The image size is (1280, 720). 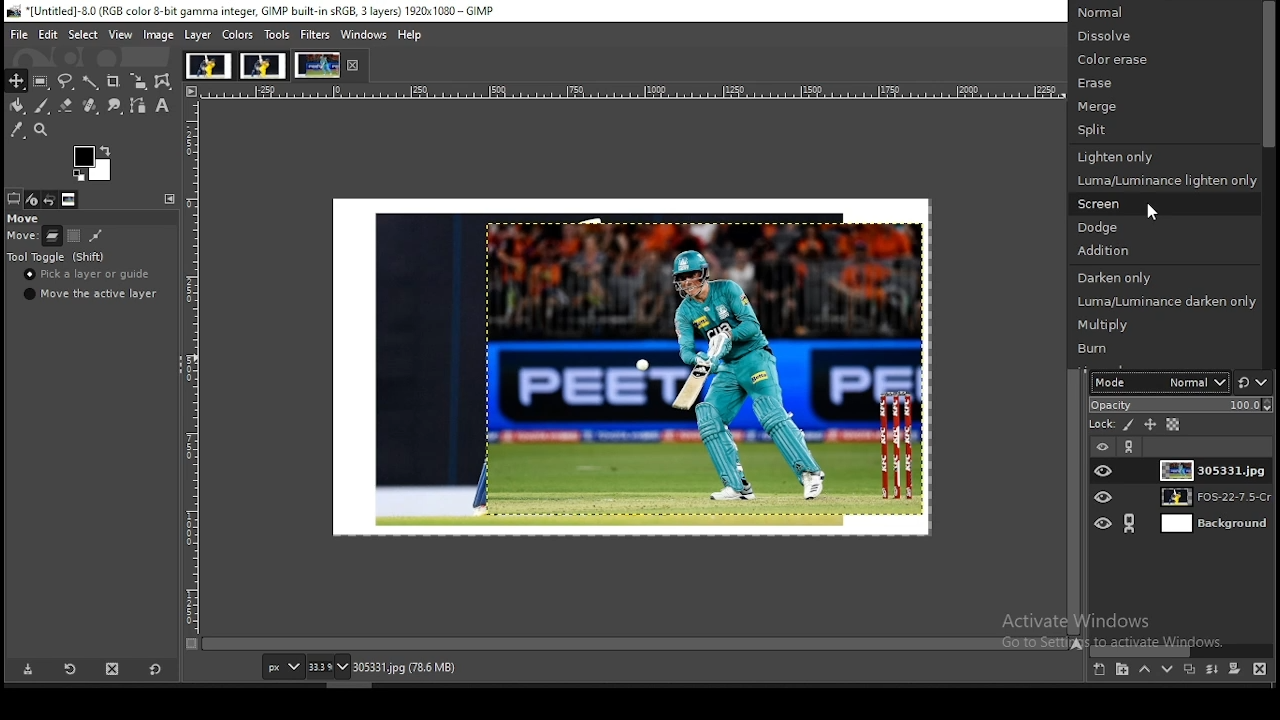 What do you see at coordinates (66, 104) in the screenshot?
I see `eraser tool` at bounding box center [66, 104].